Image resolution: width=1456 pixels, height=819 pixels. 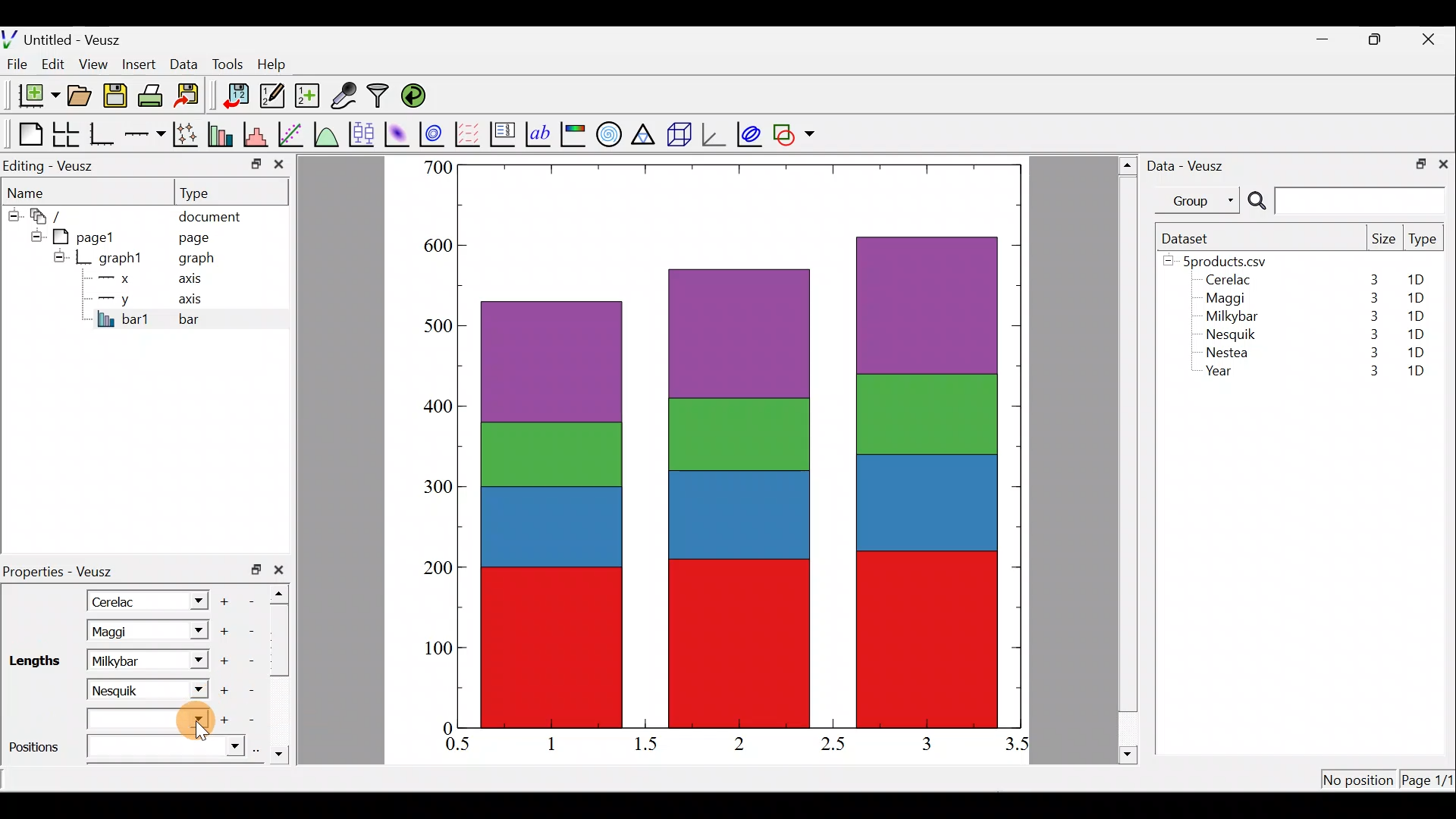 What do you see at coordinates (124, 318) in the screenshot?
I see `bar1` at bounding box center [124, 318].